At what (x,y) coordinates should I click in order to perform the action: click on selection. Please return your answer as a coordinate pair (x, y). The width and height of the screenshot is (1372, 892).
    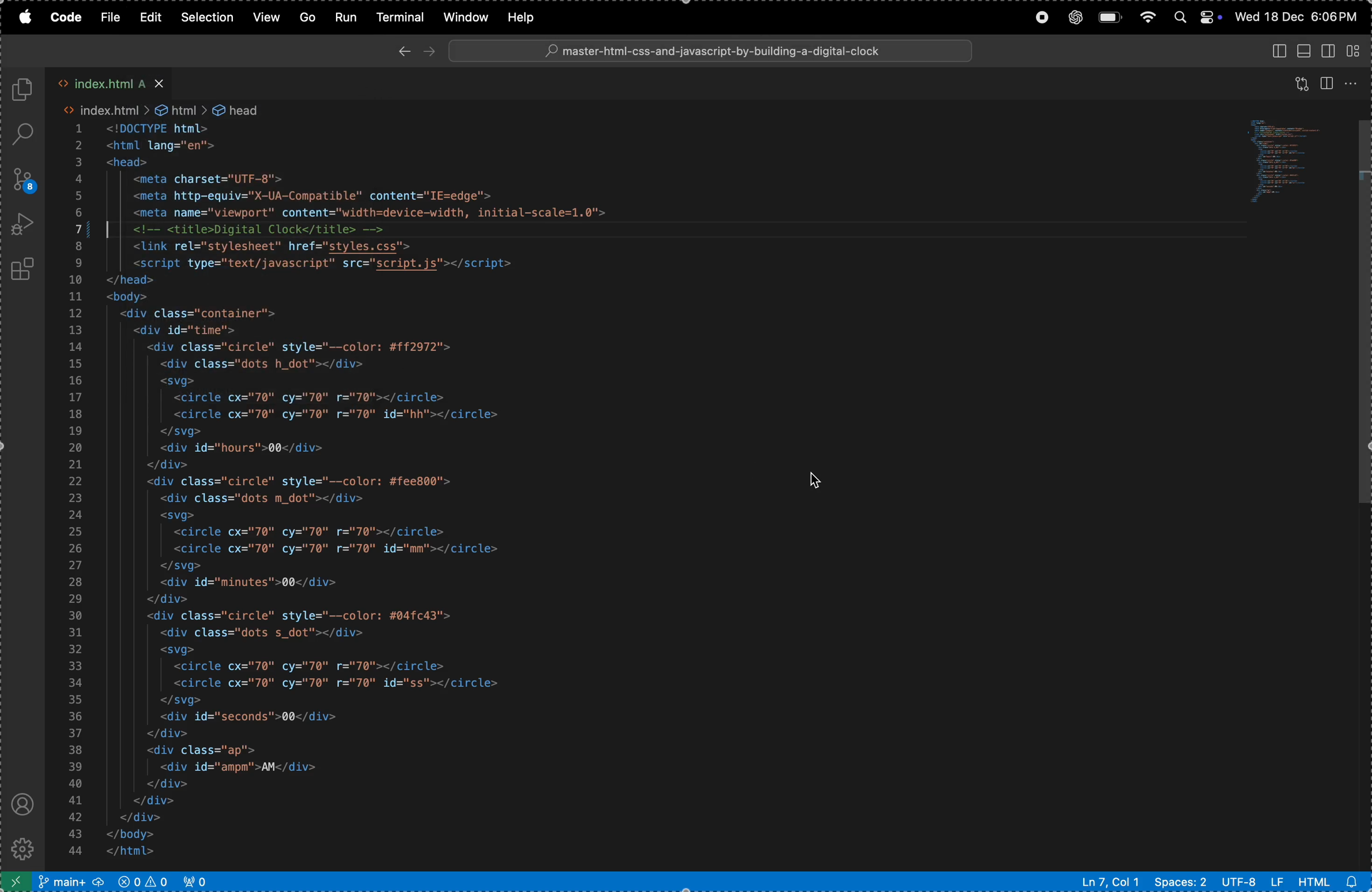
    Looking at the image, I should click on (208, 16).